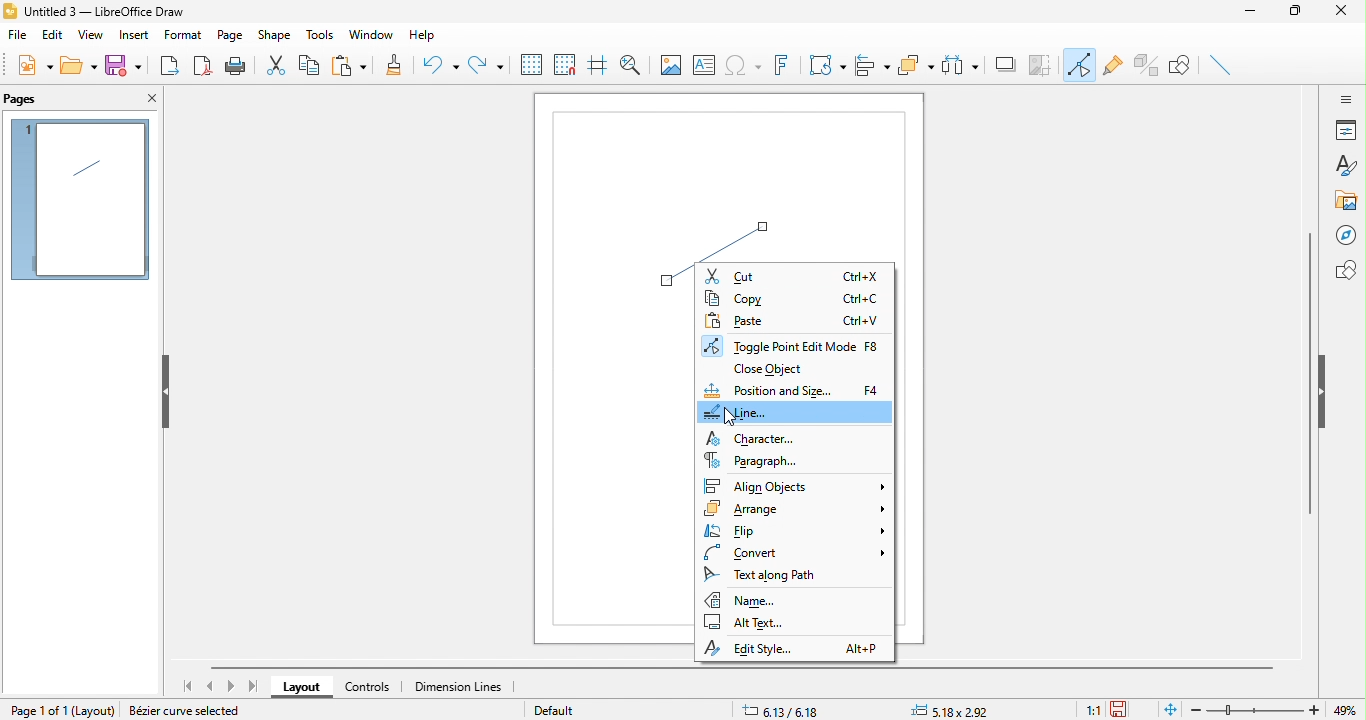 The height and width of the screenshot is (720, 1366). Describe the element at coordinates (668, 64) in the screenshot. I see `image` at that location.